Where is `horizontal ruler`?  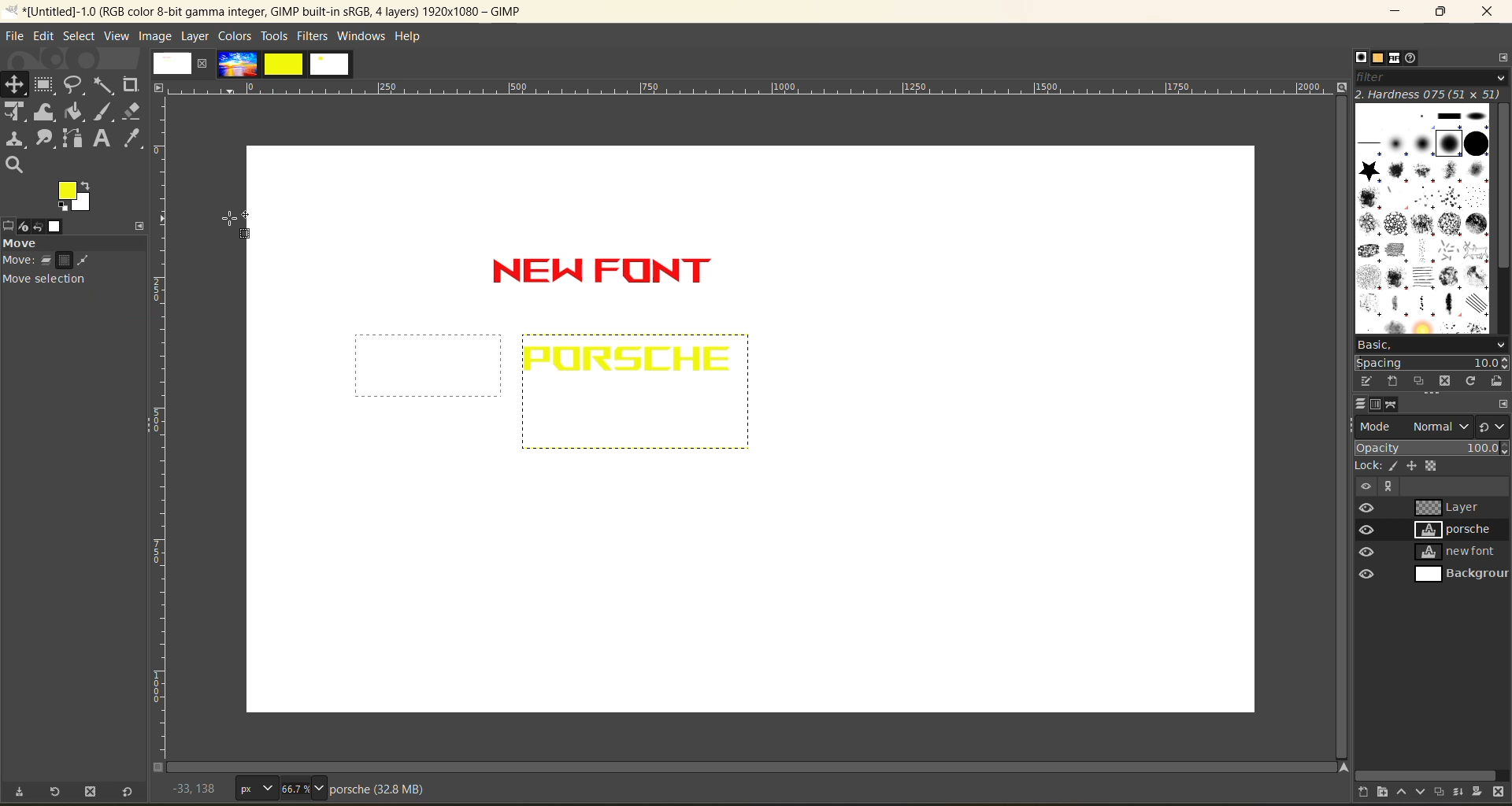 horizontal ruler is located at coordinates (747, 87).